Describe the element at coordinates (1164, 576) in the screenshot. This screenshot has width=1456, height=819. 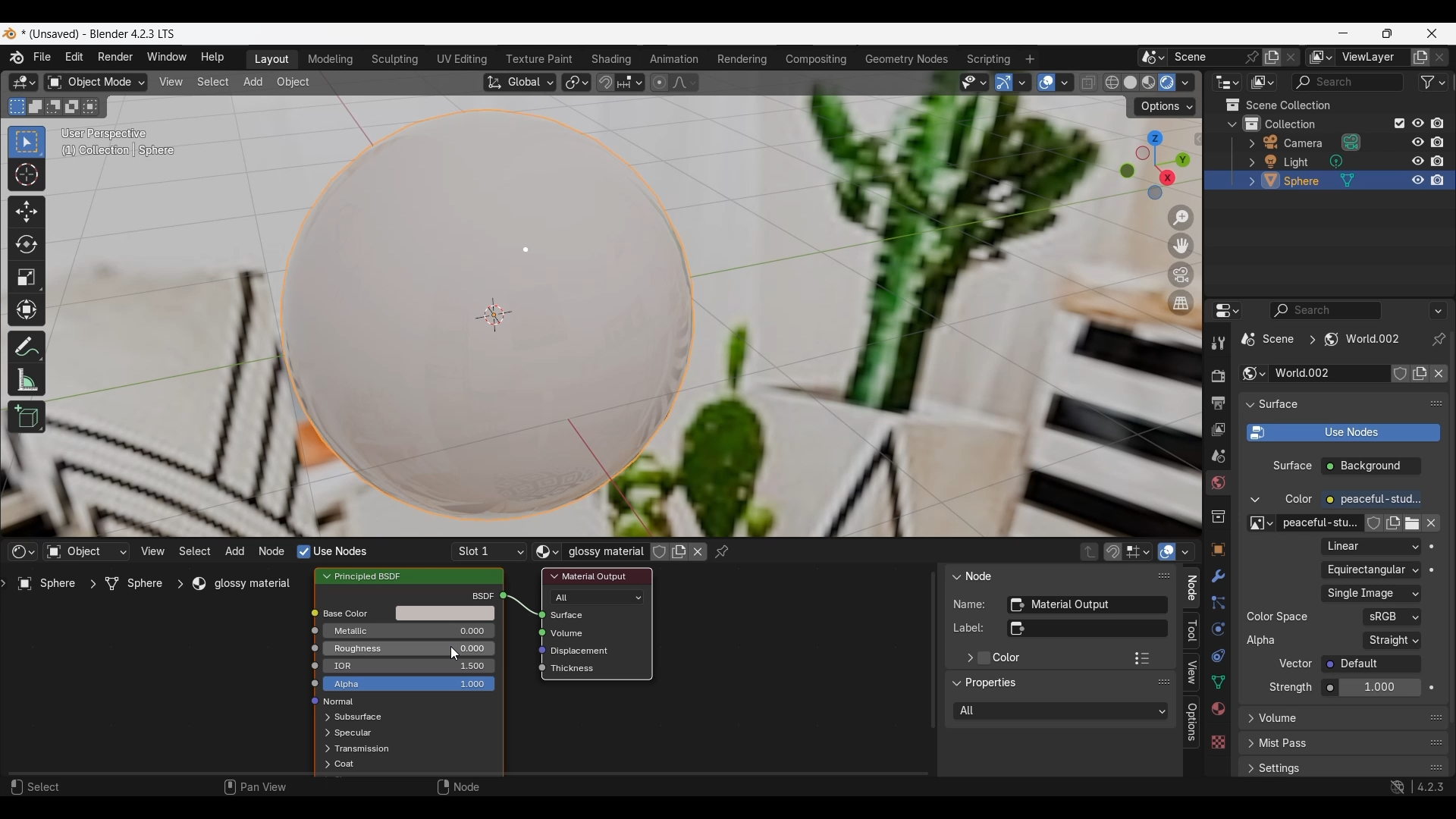
I see `Float panel` at that location.